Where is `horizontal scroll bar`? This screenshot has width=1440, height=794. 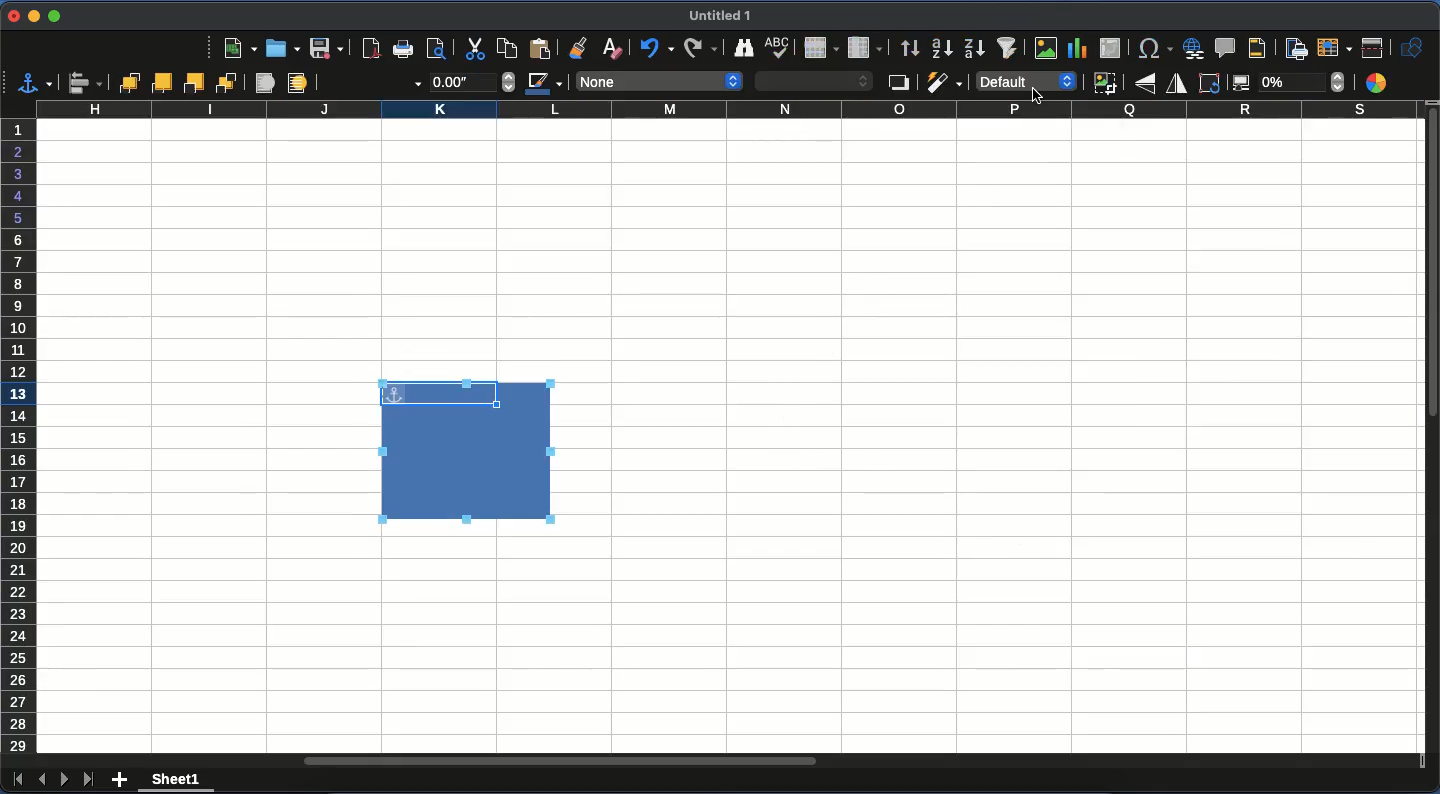
horizontal scroll bar is located at coordinates (558, 758).